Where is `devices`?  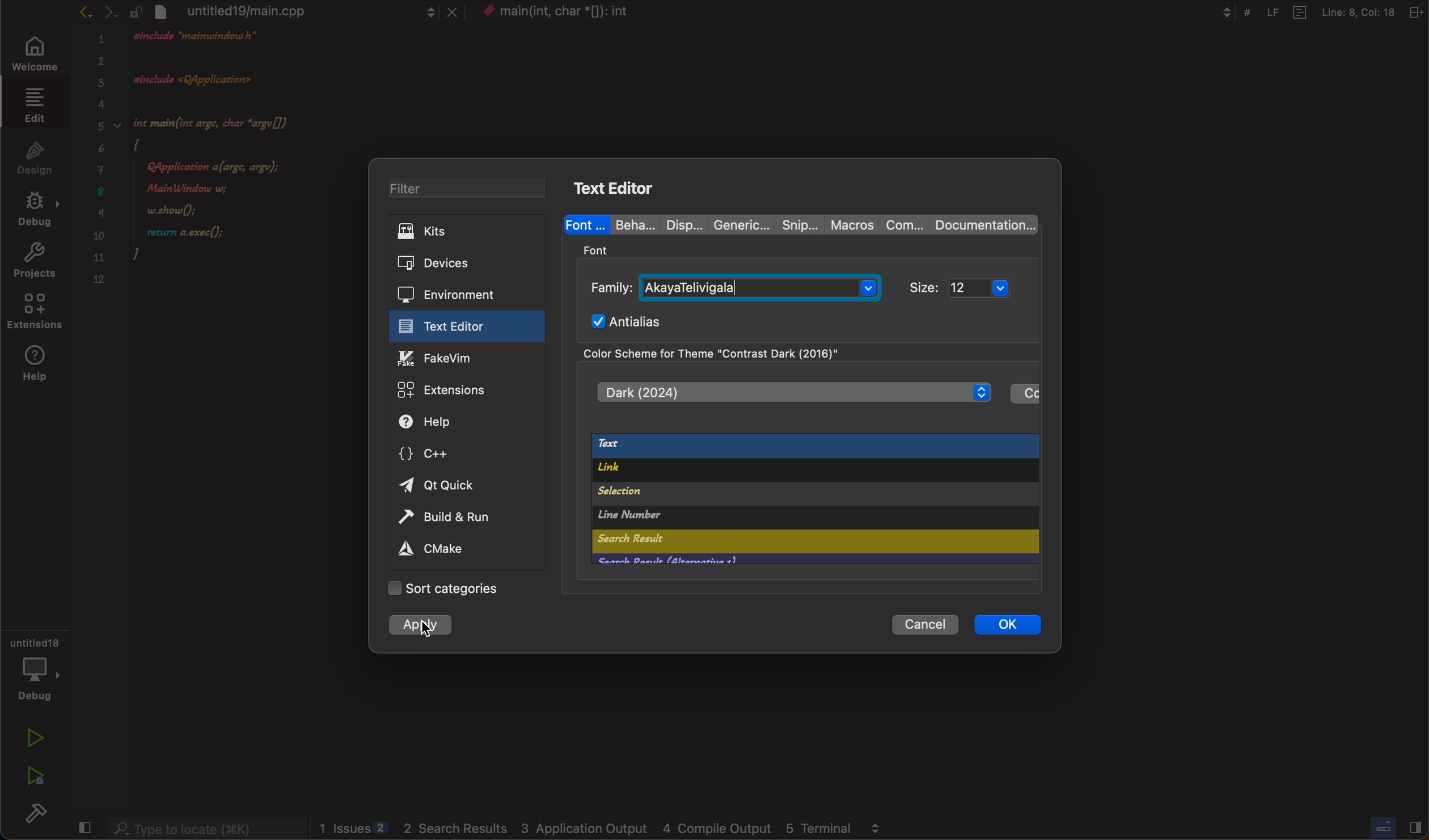 devices is located at coordinates (458, 264).